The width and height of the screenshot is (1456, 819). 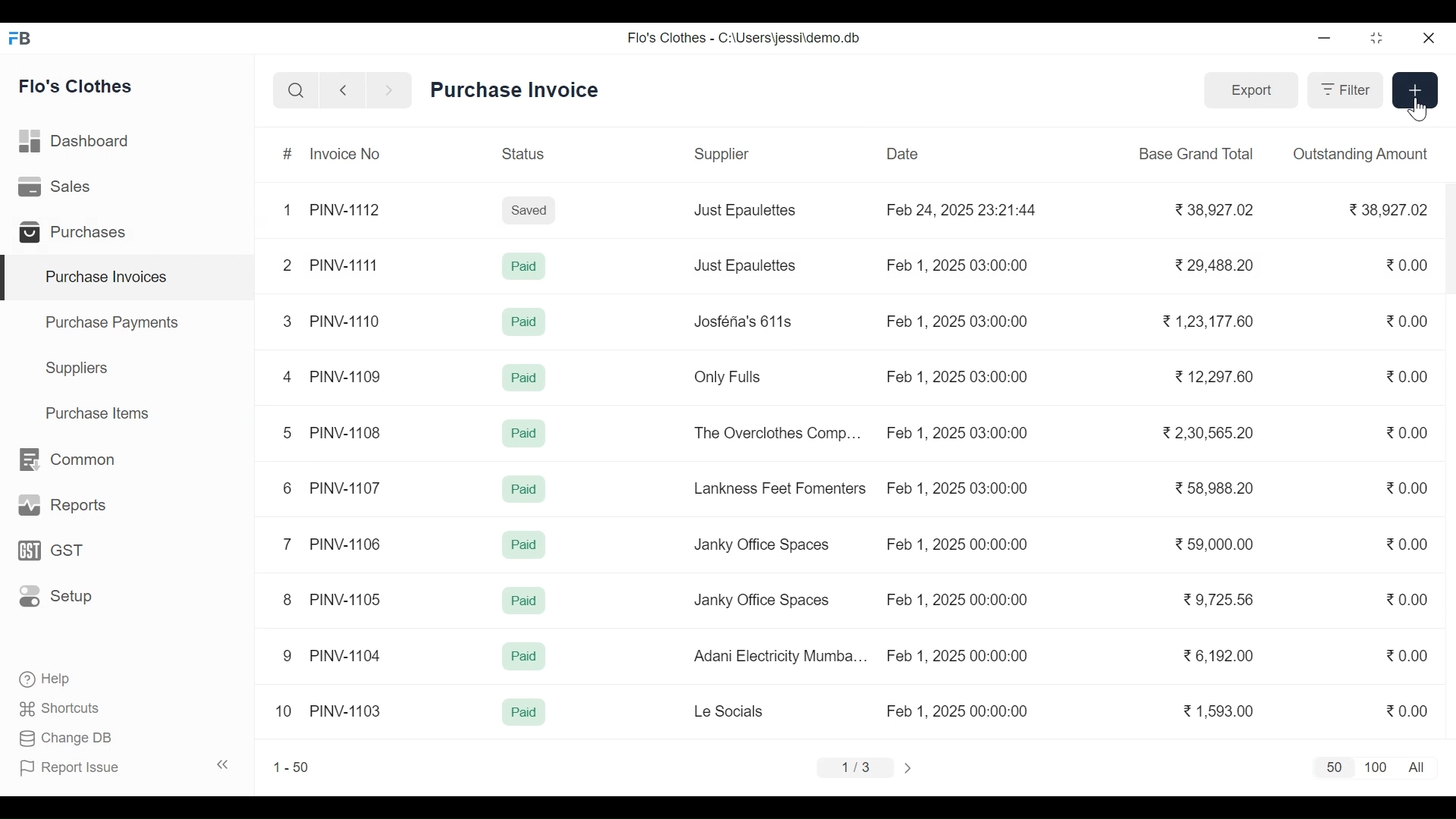 I want to click on Feb 1, 2025 03:00:00, so click(x=959, y=320).